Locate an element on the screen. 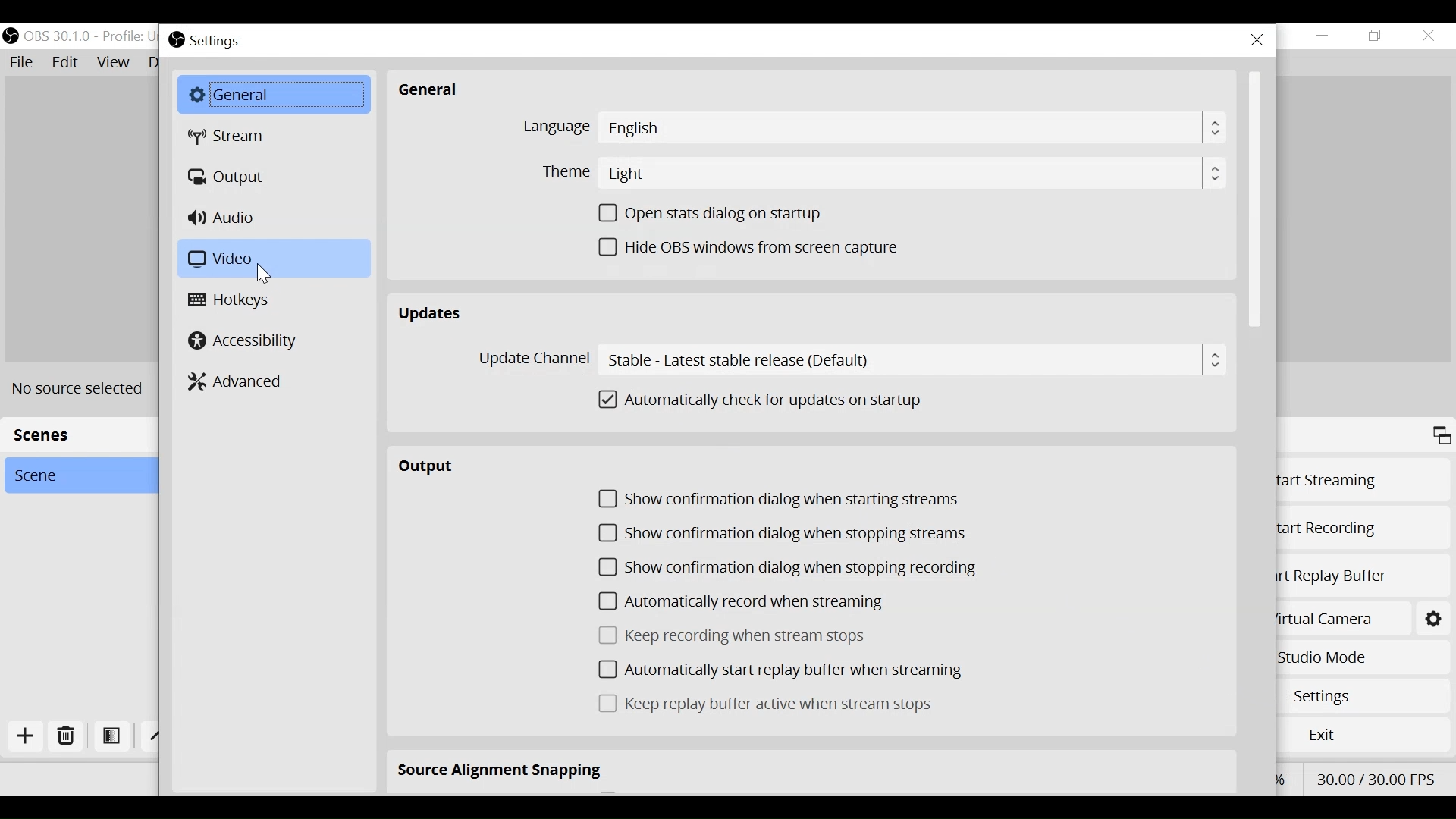 The image size is (1456, 819). (un)check Show confirmation dialog when stopping streams is located at coordinates (785, 533).